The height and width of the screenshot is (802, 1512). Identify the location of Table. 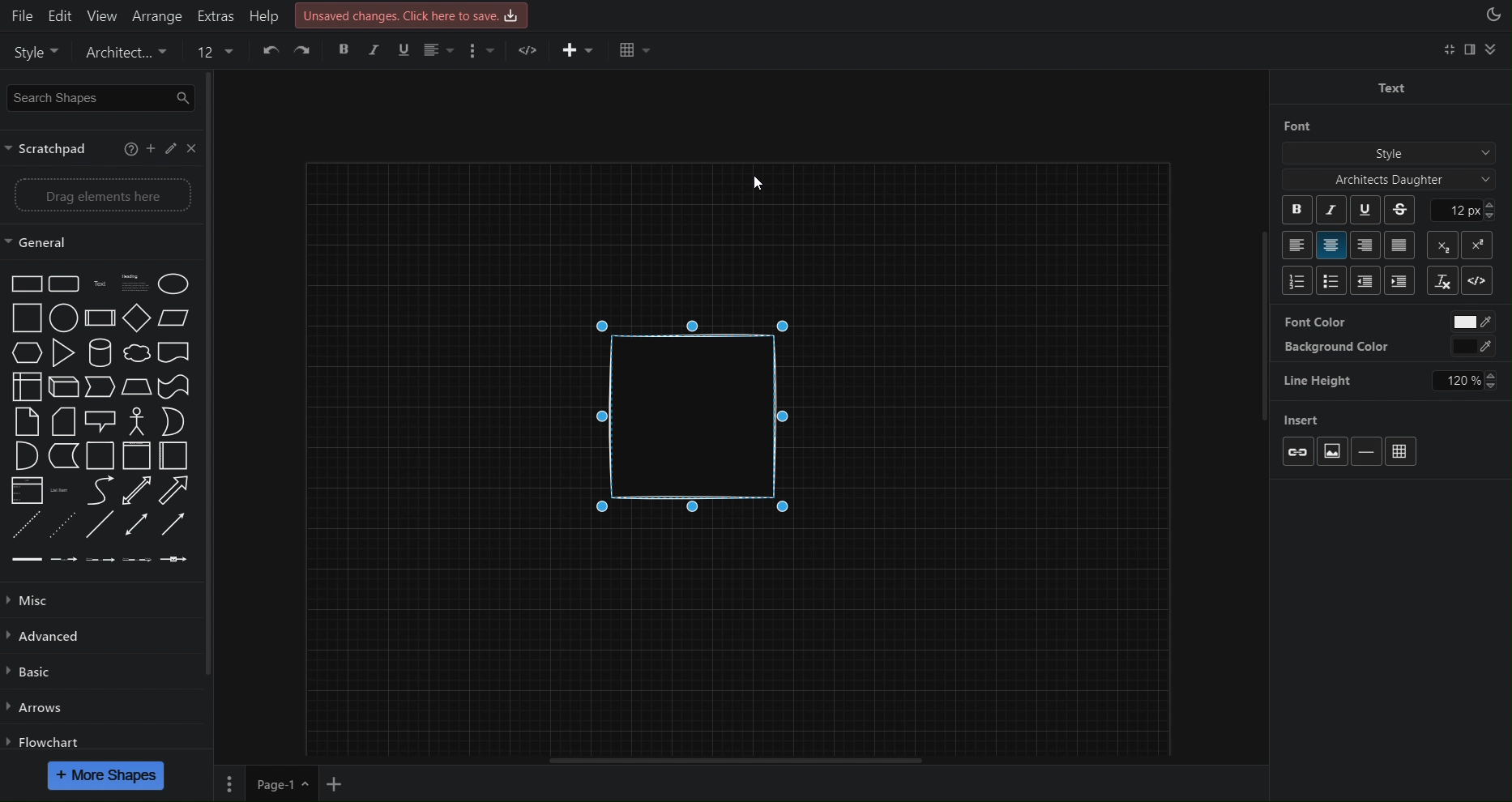
(686, 50).